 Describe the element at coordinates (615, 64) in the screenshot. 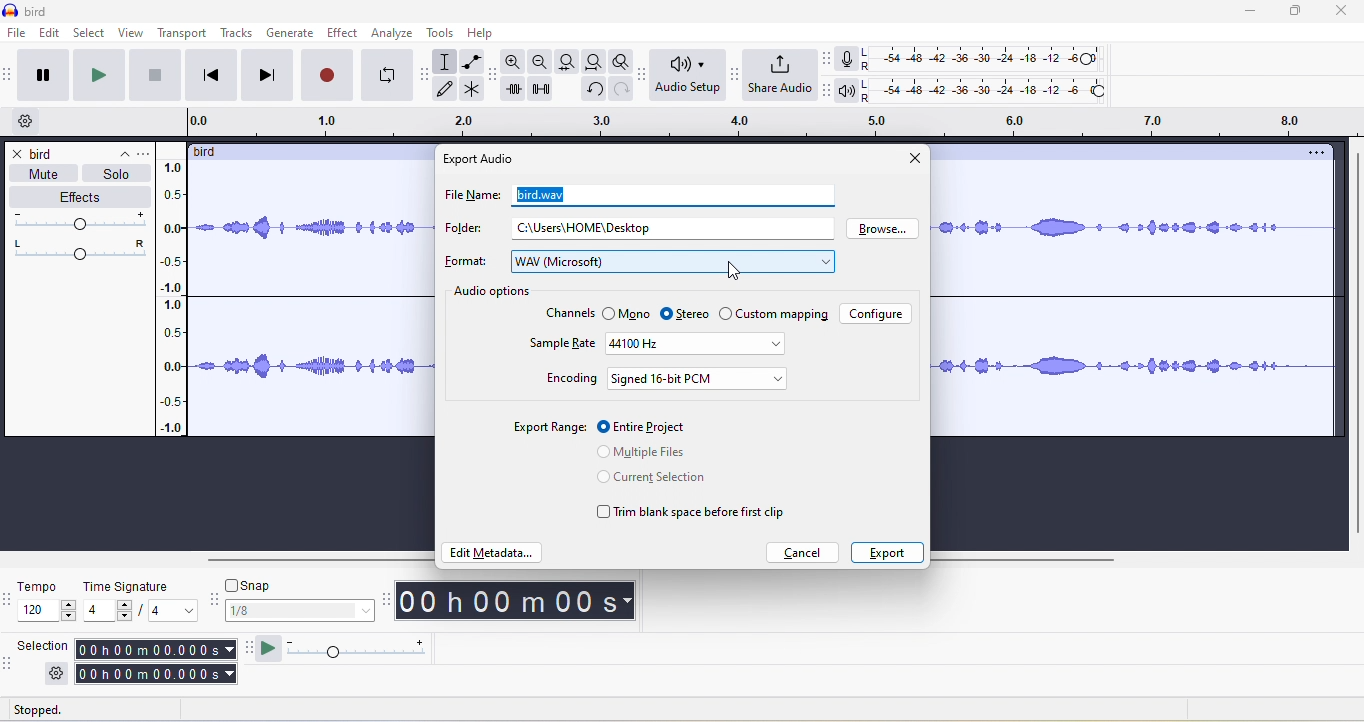

I see `zoom toggle` at that location.